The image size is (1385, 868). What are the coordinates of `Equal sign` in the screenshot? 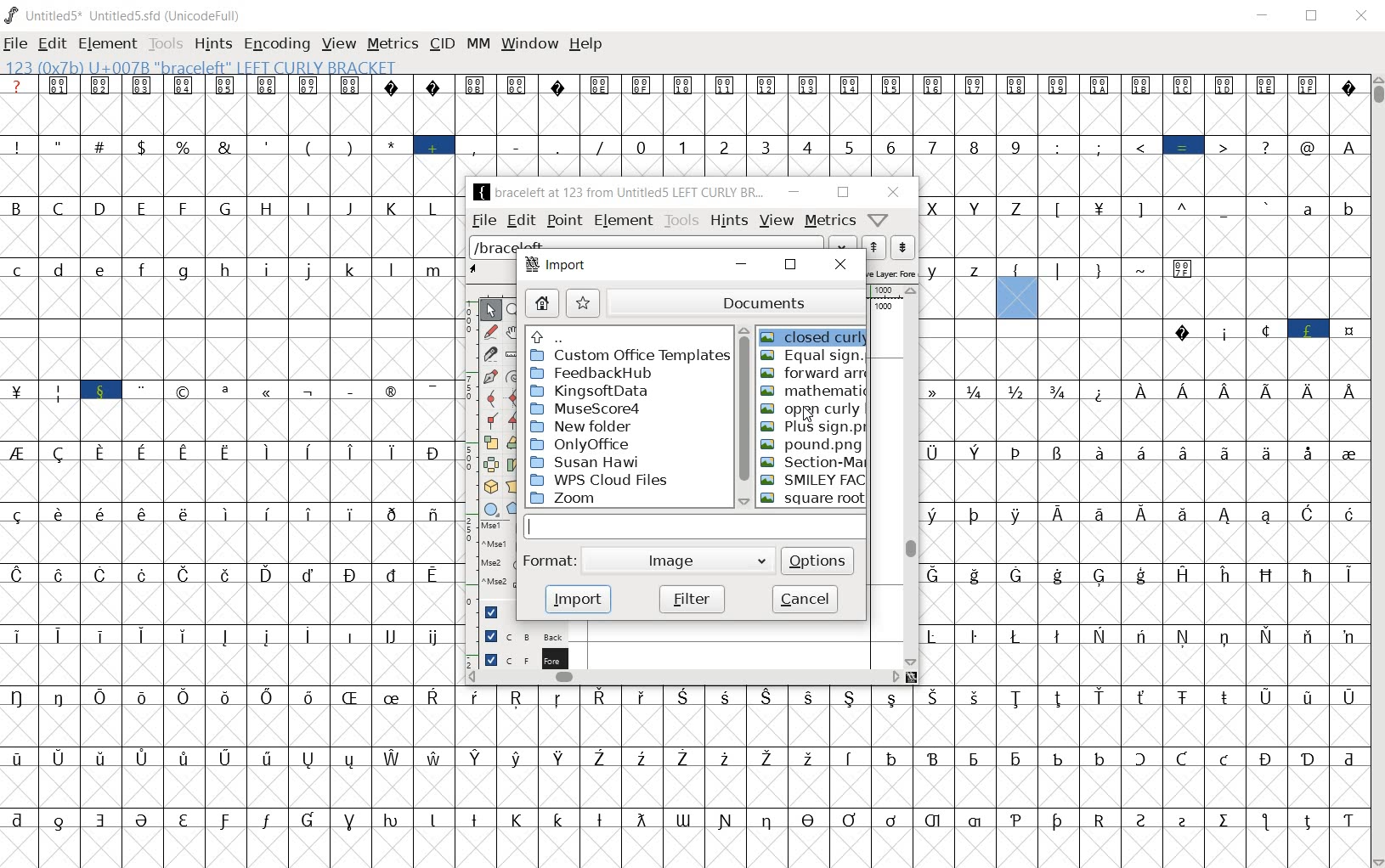 It's located at (814, 357).